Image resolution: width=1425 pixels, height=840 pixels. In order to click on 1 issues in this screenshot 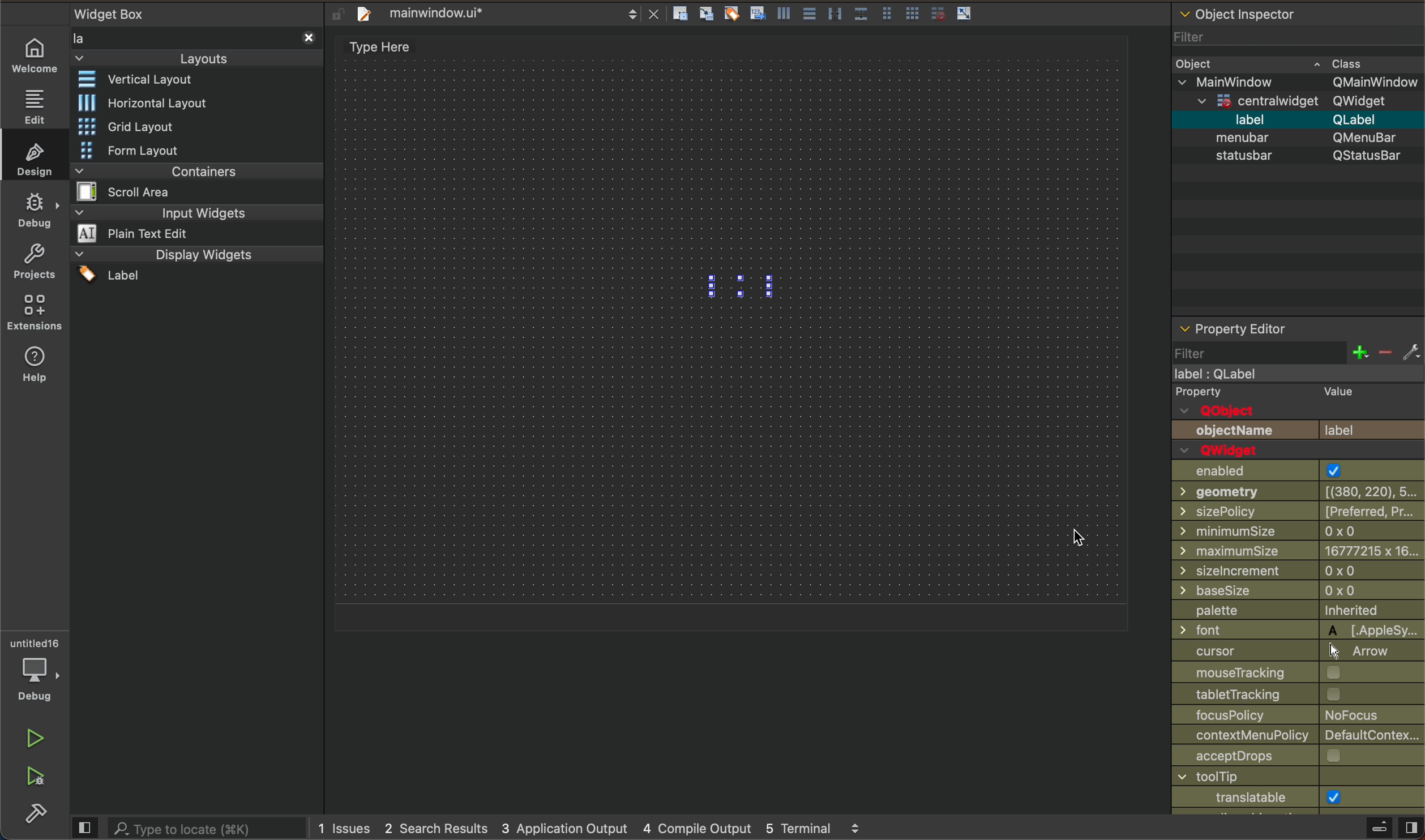, I will do `click(345, 827)`.